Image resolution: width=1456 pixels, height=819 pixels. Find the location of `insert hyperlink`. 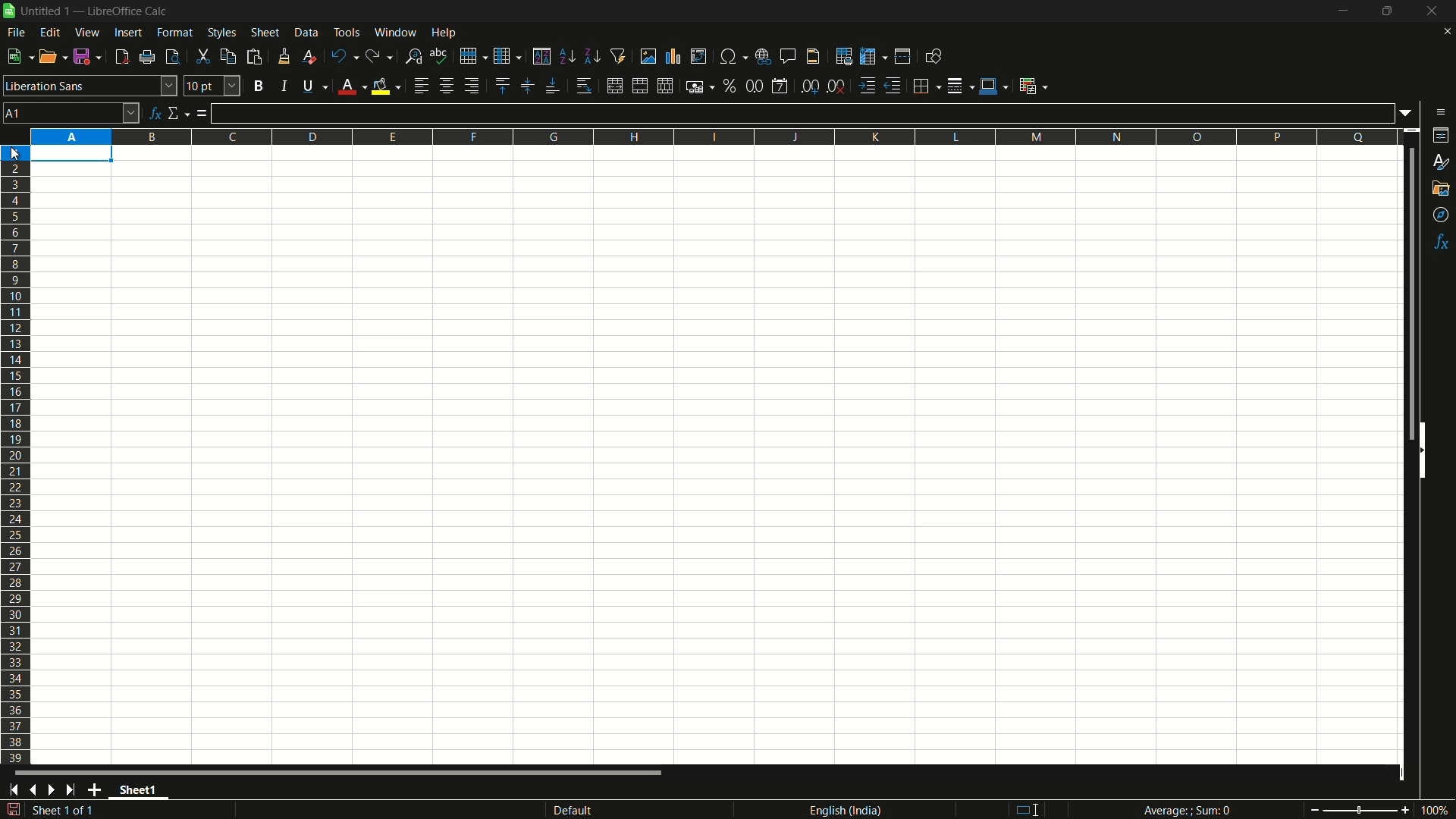

insert hyperlink is located at coordinates (765, 55).